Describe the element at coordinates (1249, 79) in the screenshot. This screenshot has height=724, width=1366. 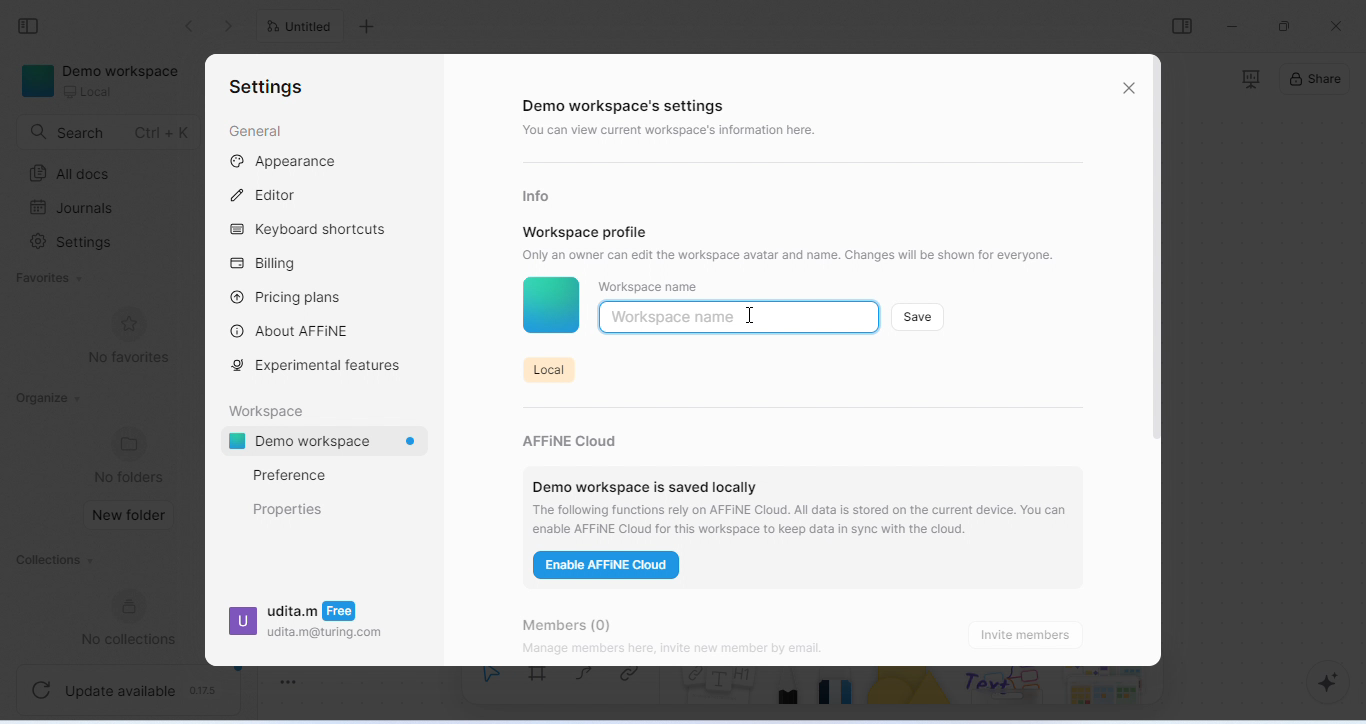
I see `presentation` at that location.